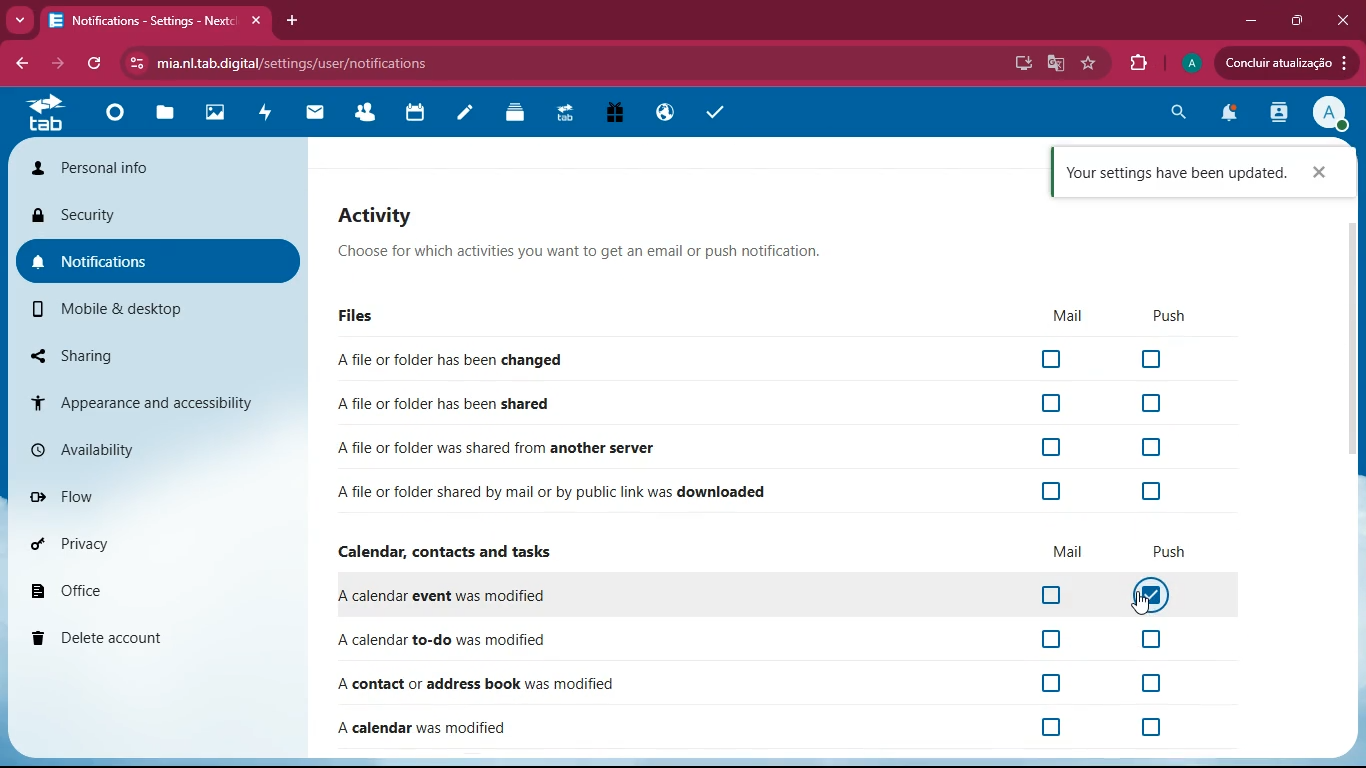 The height and width of the screenshot is (768, 1366). Describe the element at coordinates (1055, 65) in the screenshot. I see `google translate` at that location.